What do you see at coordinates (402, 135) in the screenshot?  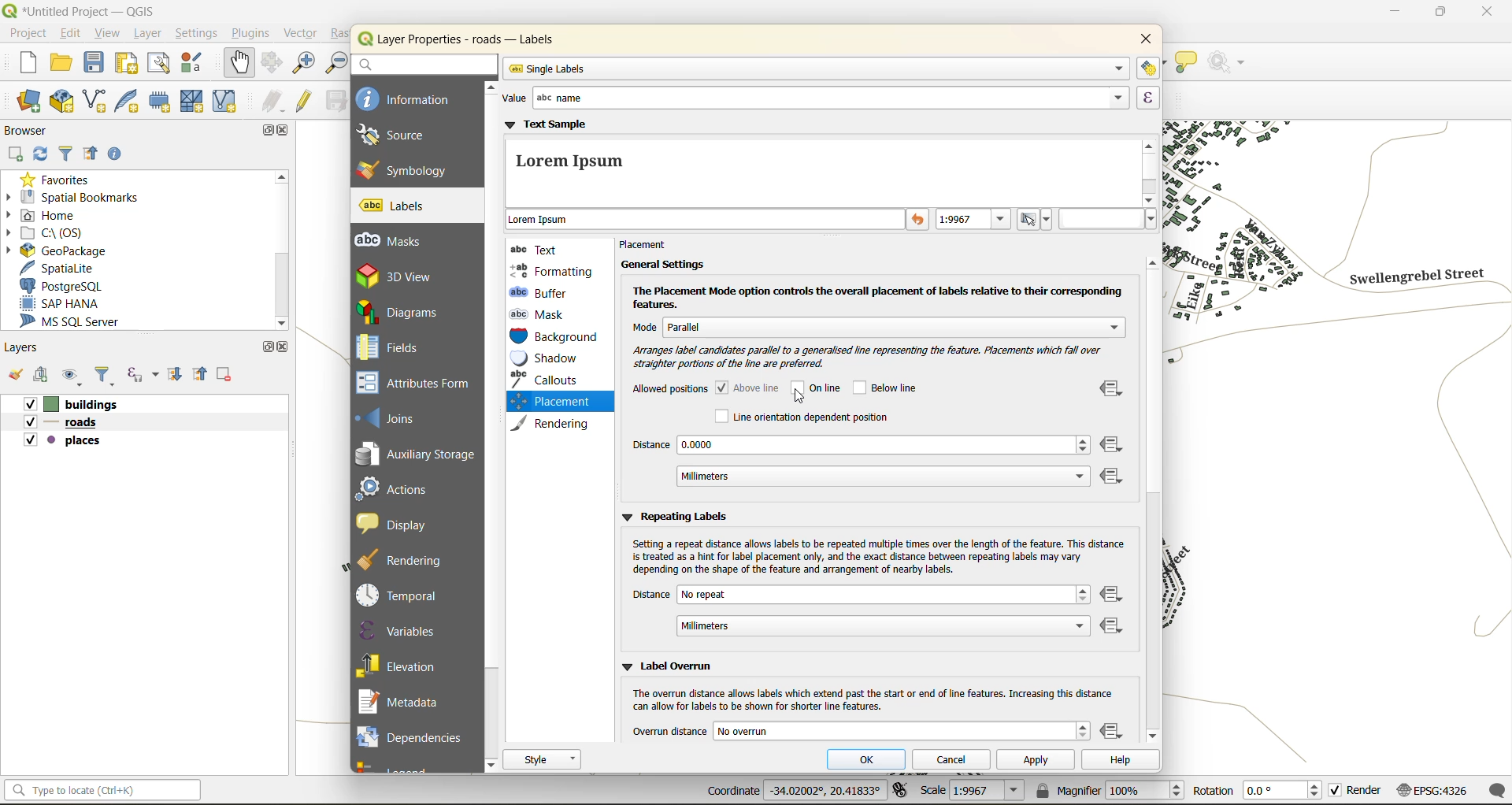 I see `source` at bounding box center [402, 135].